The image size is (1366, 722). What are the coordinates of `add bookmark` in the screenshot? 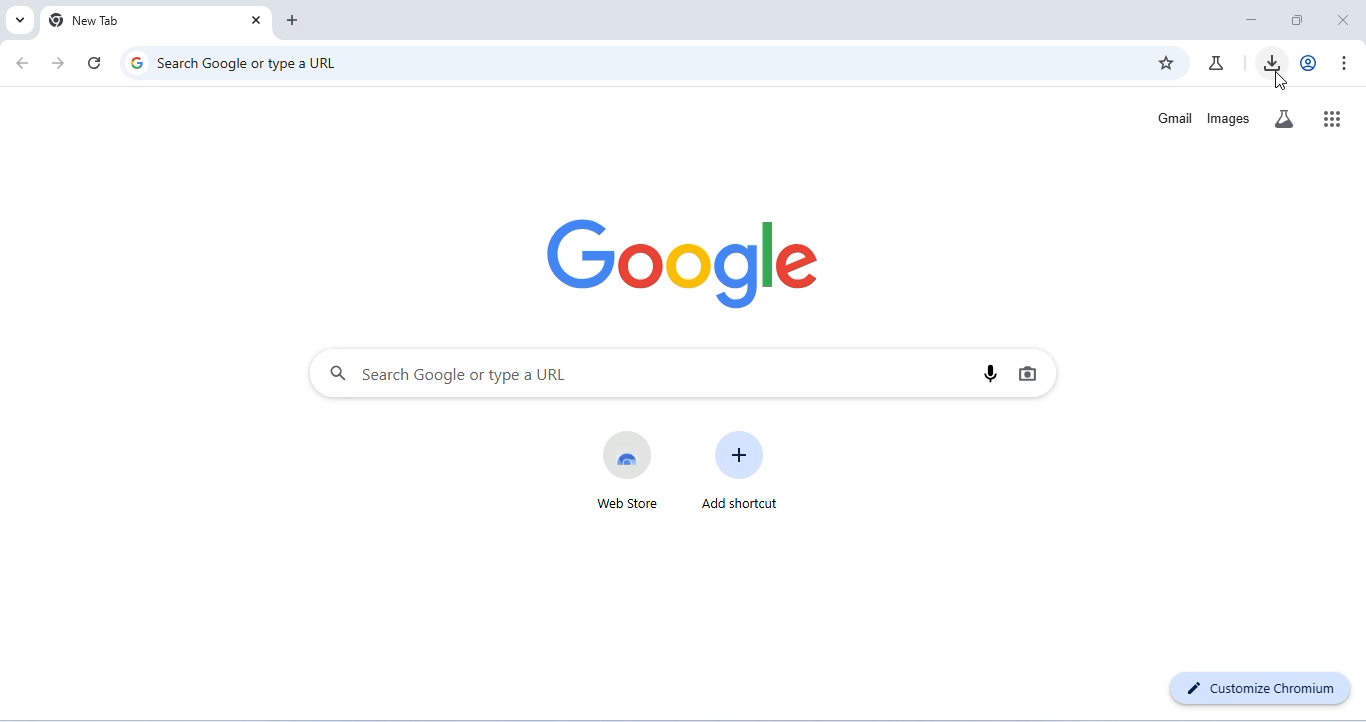 It's located at (1165, 62).